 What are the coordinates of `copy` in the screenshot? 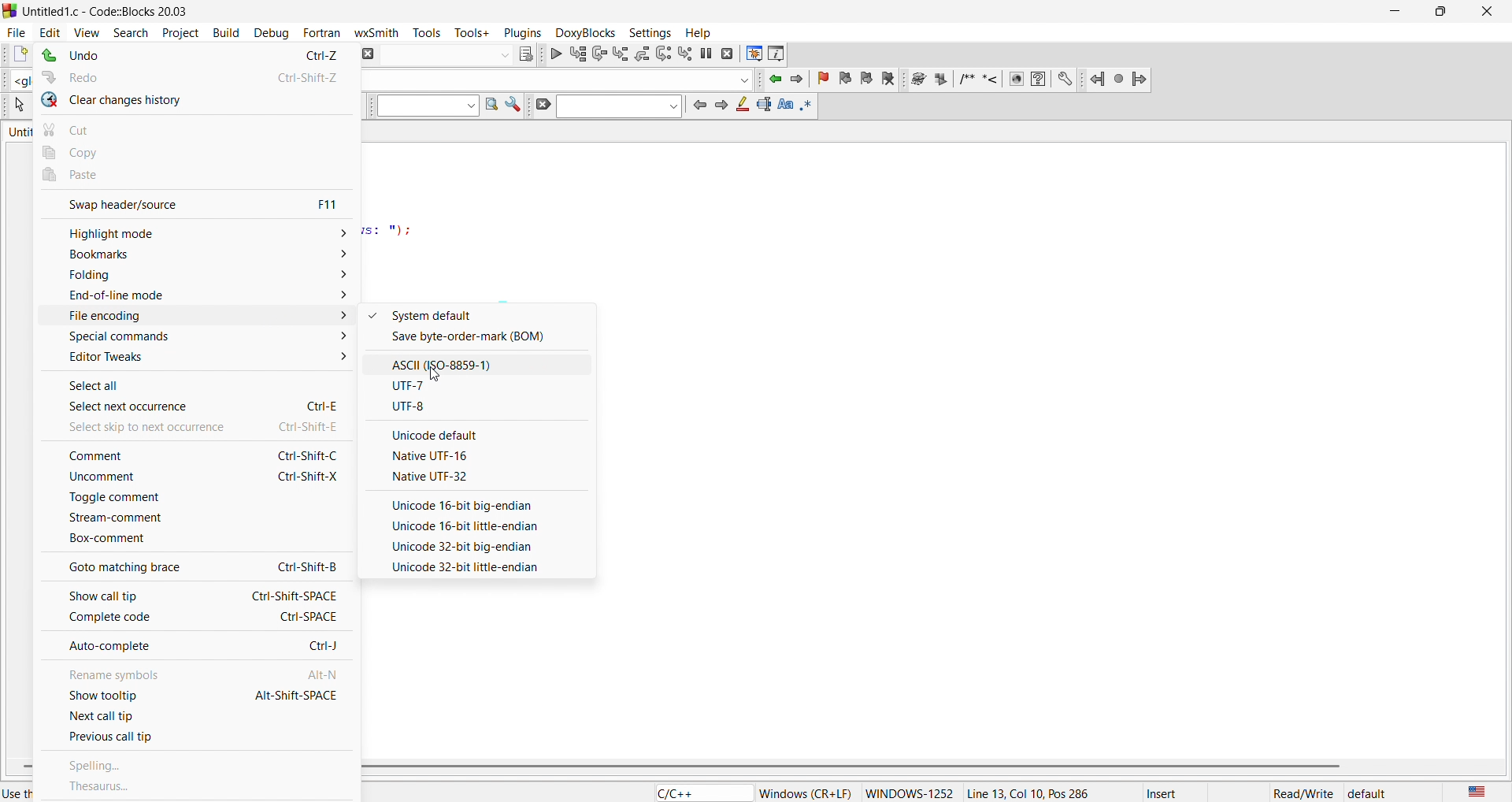 It's located at (196, 152).